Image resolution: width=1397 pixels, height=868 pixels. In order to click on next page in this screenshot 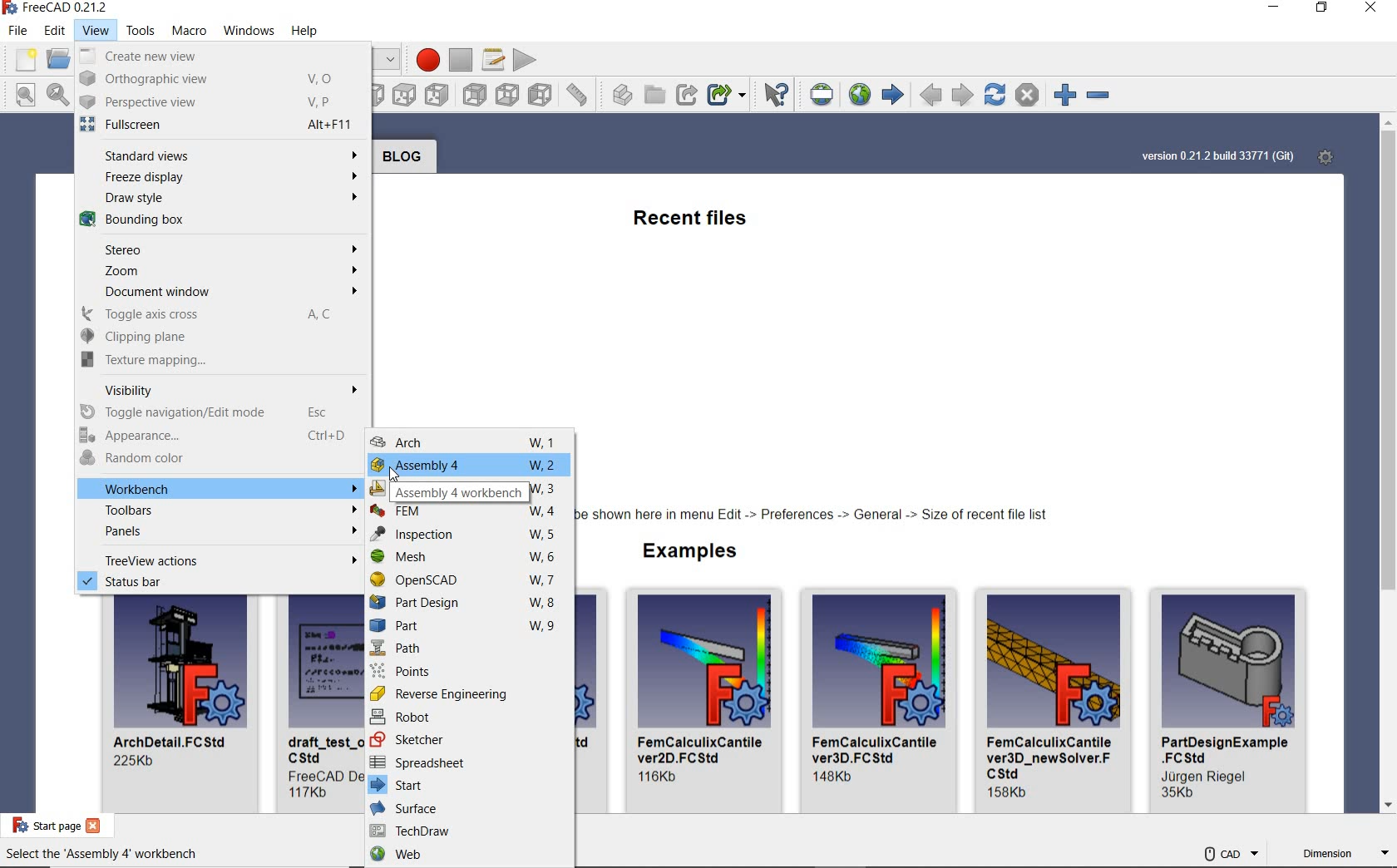, I will do `click(965, 93)`.